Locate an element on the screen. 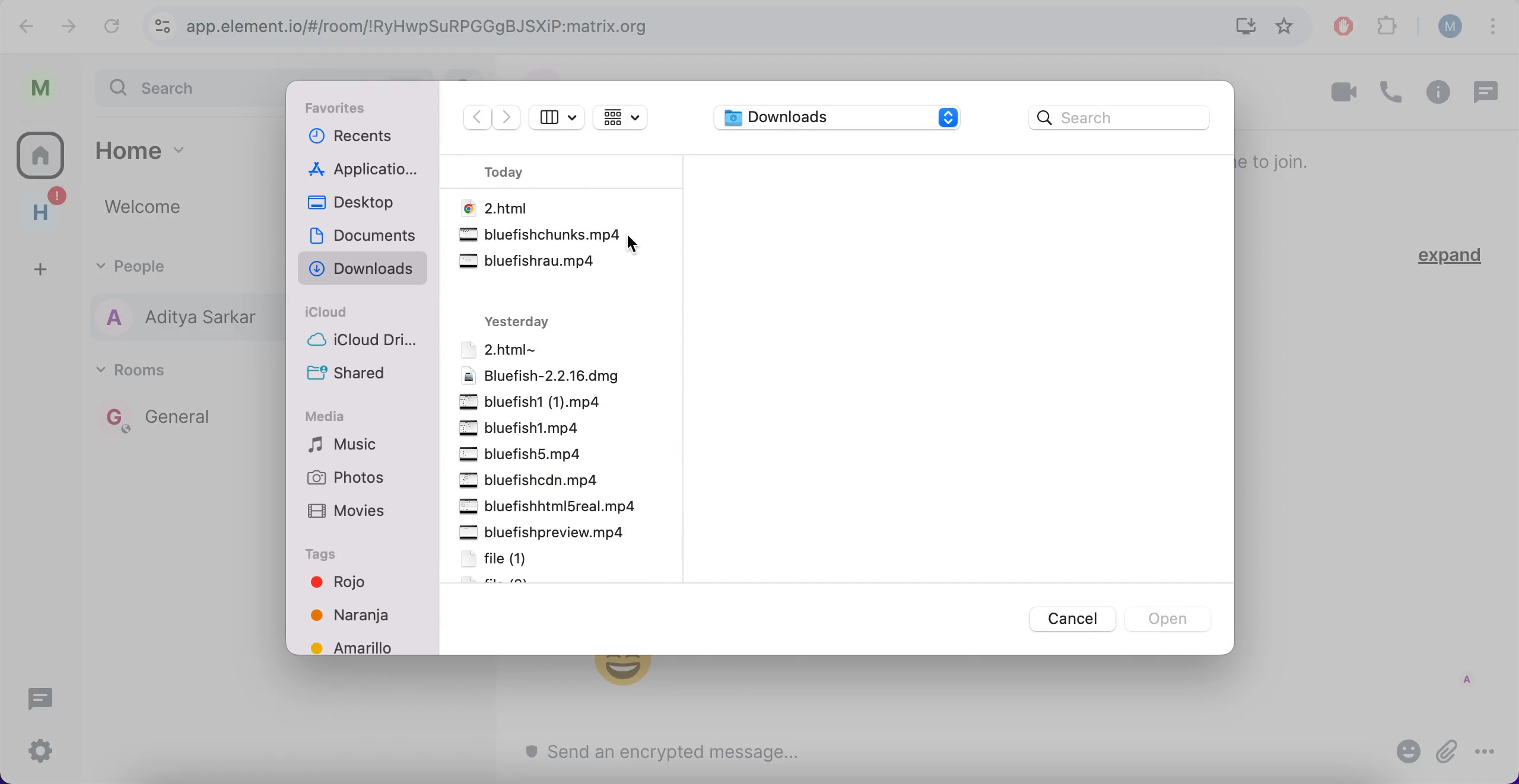  bluefish- 2.2.16.dmg is located at coordinates (540, 373).